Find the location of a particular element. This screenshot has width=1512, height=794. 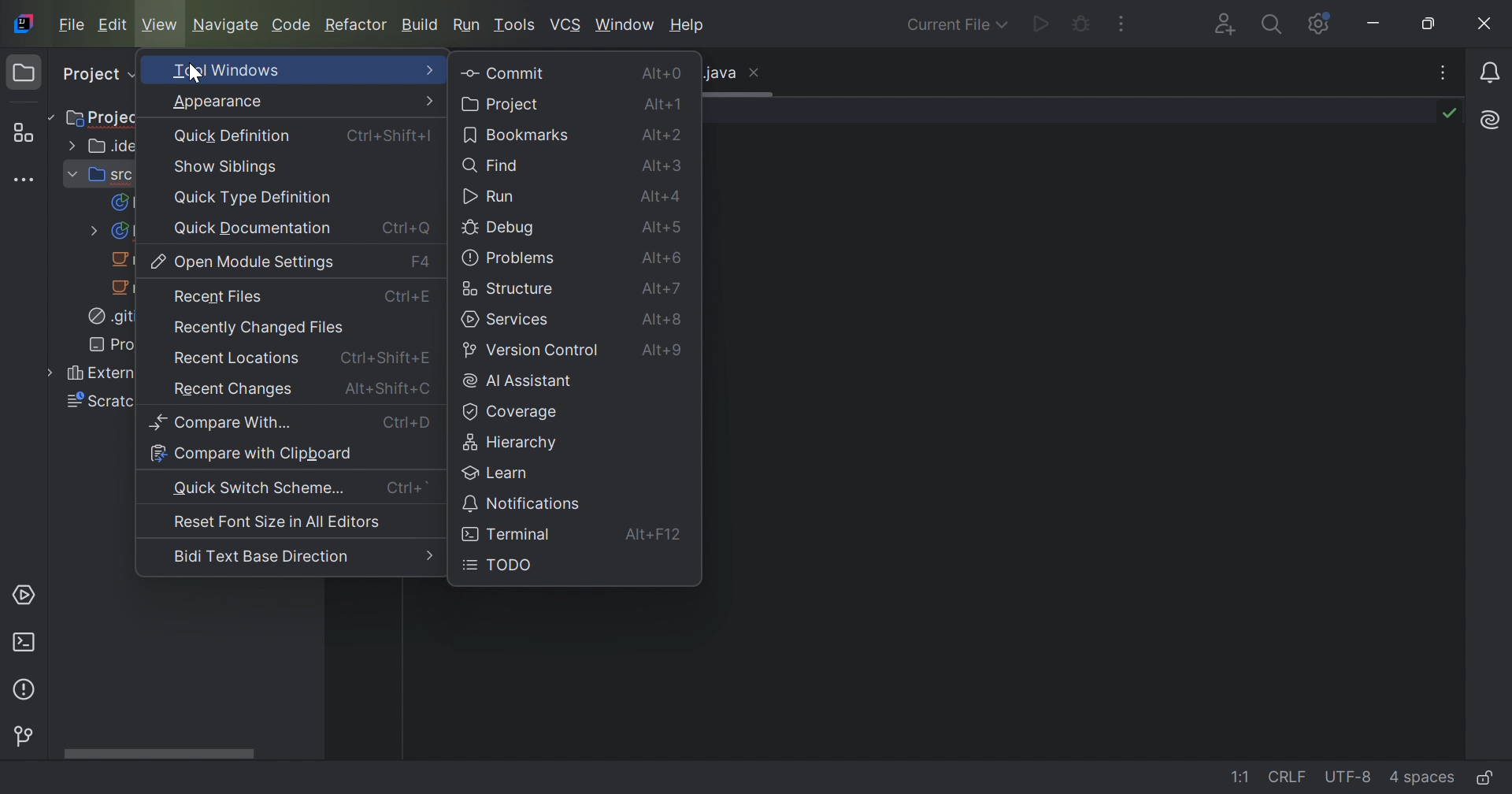

File is located at coordinates (72, 25).